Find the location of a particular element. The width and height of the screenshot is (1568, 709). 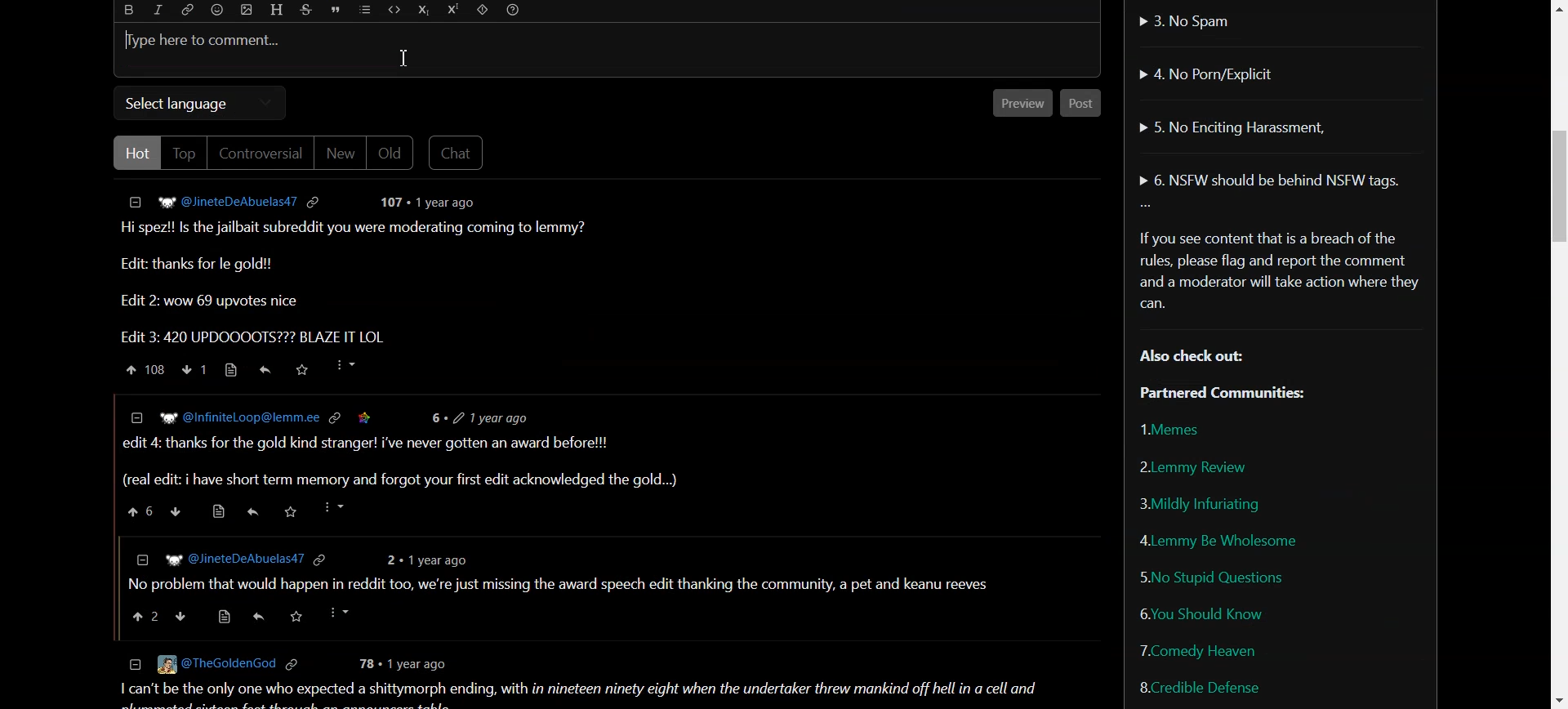

Code is located at coordinates (394, 11).